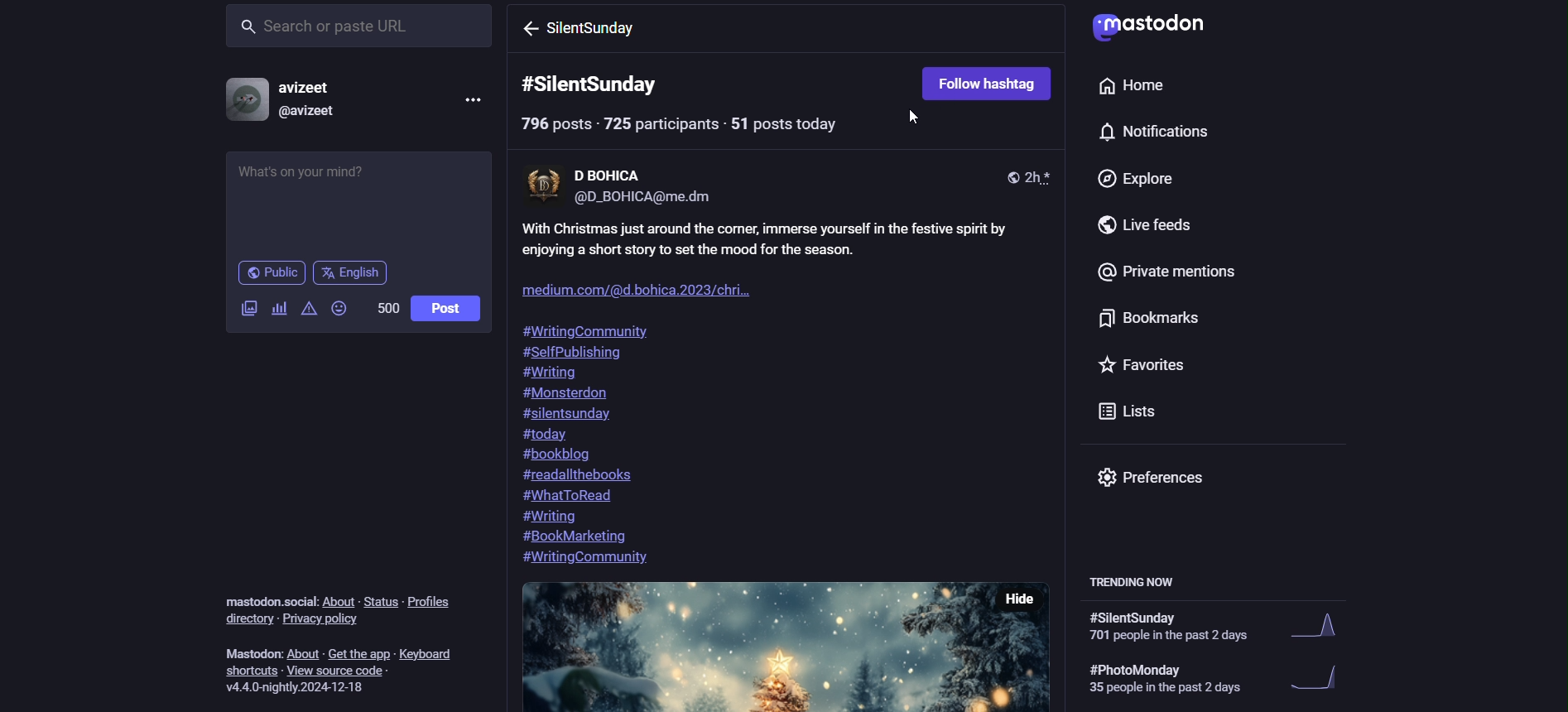 The width and height of the screenshot is (1568, 712). I want to click on Favorites, so click(1145, 369).